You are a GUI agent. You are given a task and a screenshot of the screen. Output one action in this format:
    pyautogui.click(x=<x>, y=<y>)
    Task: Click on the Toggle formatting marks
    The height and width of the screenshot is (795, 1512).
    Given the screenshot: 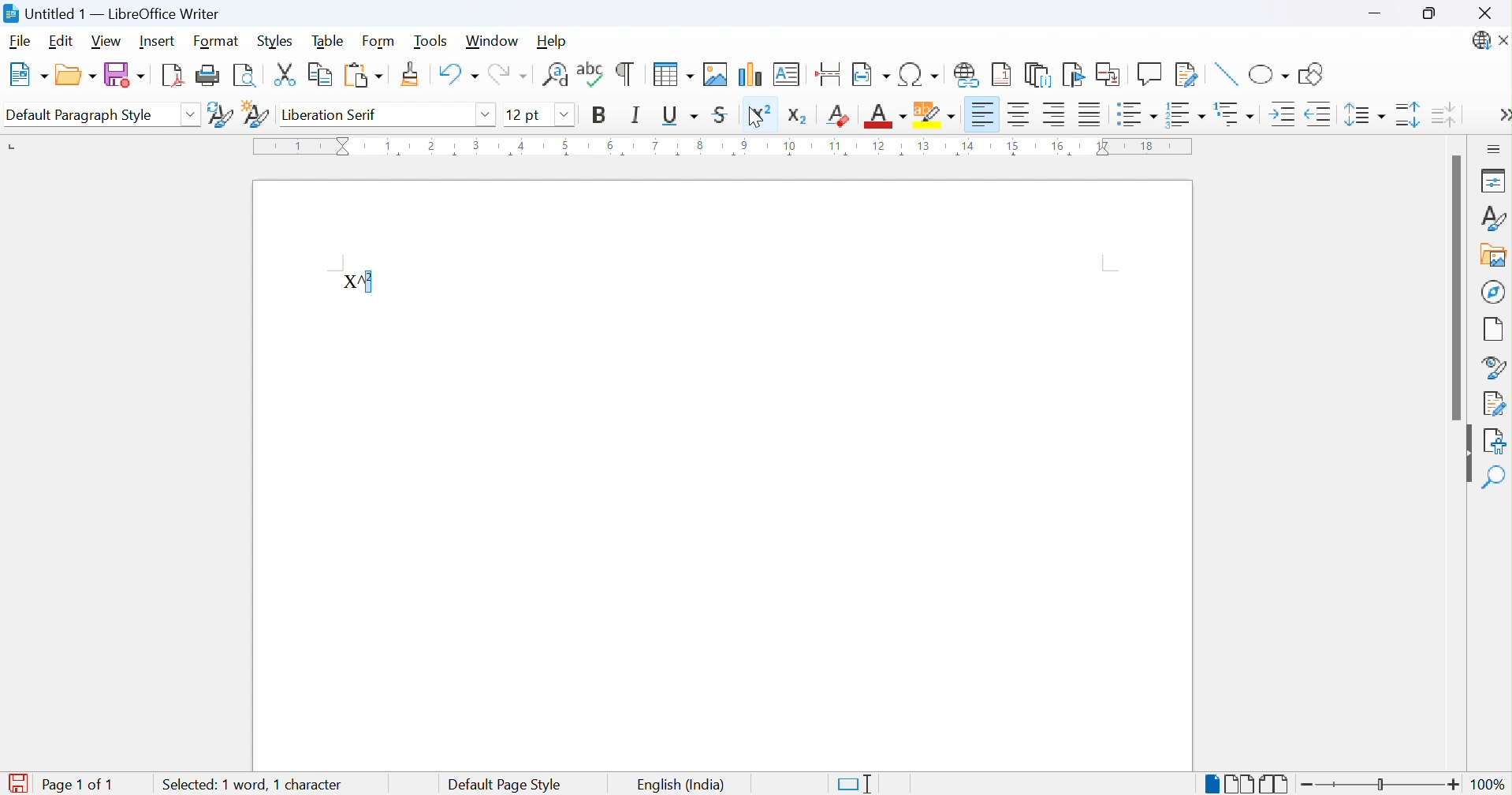 What is the action you would take?
    pyautogui.click(x=627, y=72)
    